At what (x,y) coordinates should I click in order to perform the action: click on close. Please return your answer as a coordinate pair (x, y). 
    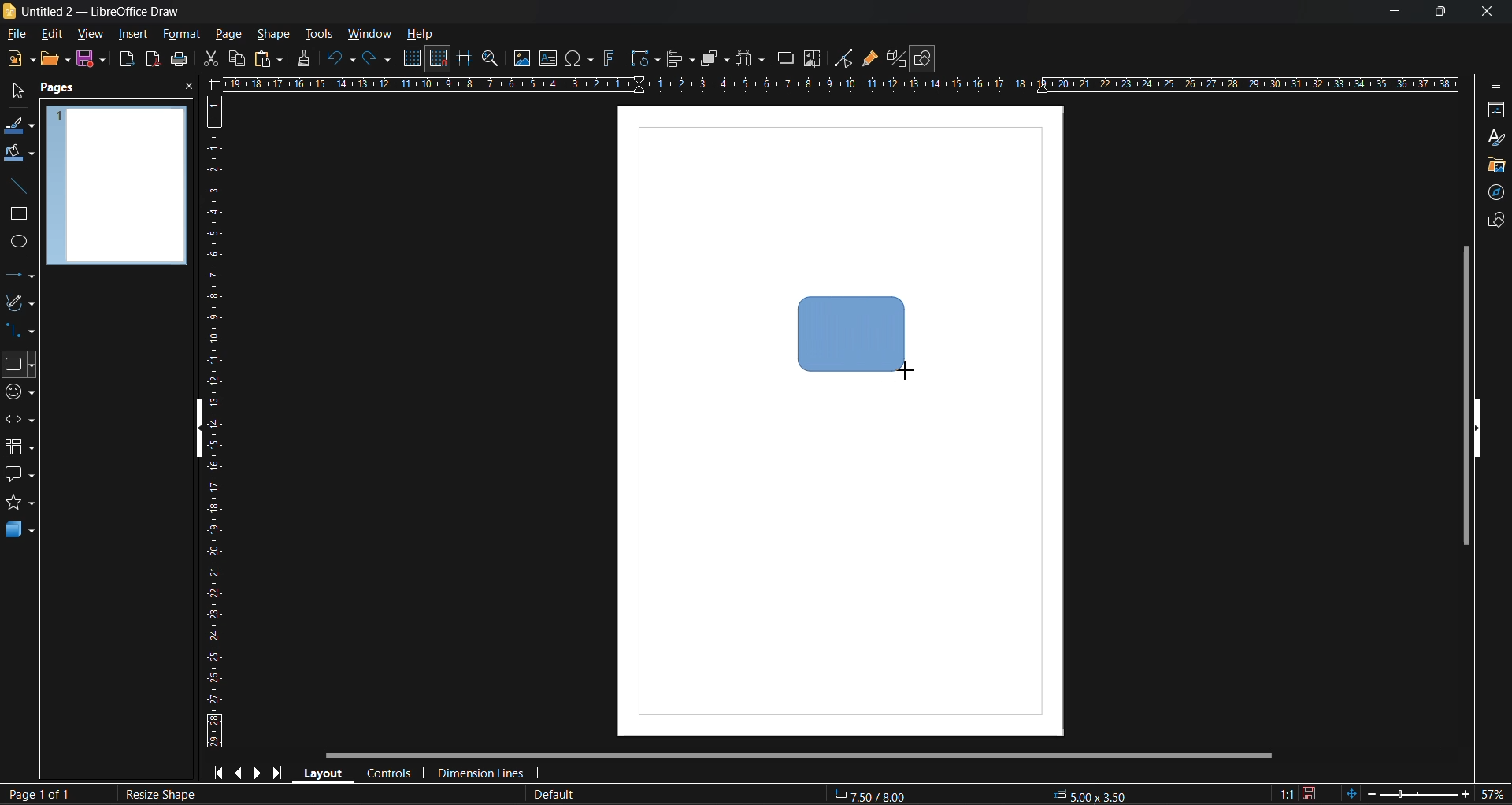
    Looking at the image, I should click on (189, 87).